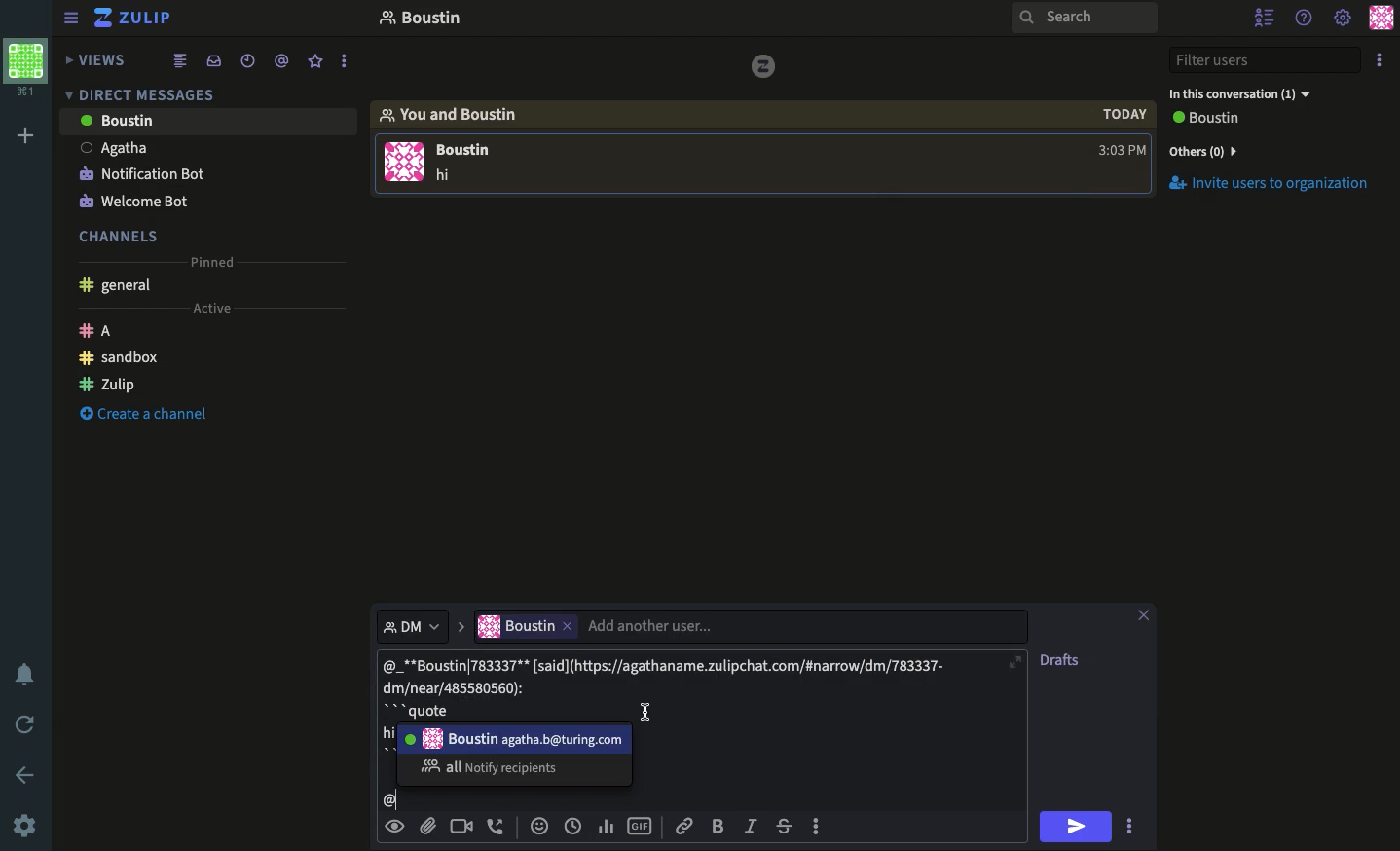  I want to click on Options, so click(1129, 825).